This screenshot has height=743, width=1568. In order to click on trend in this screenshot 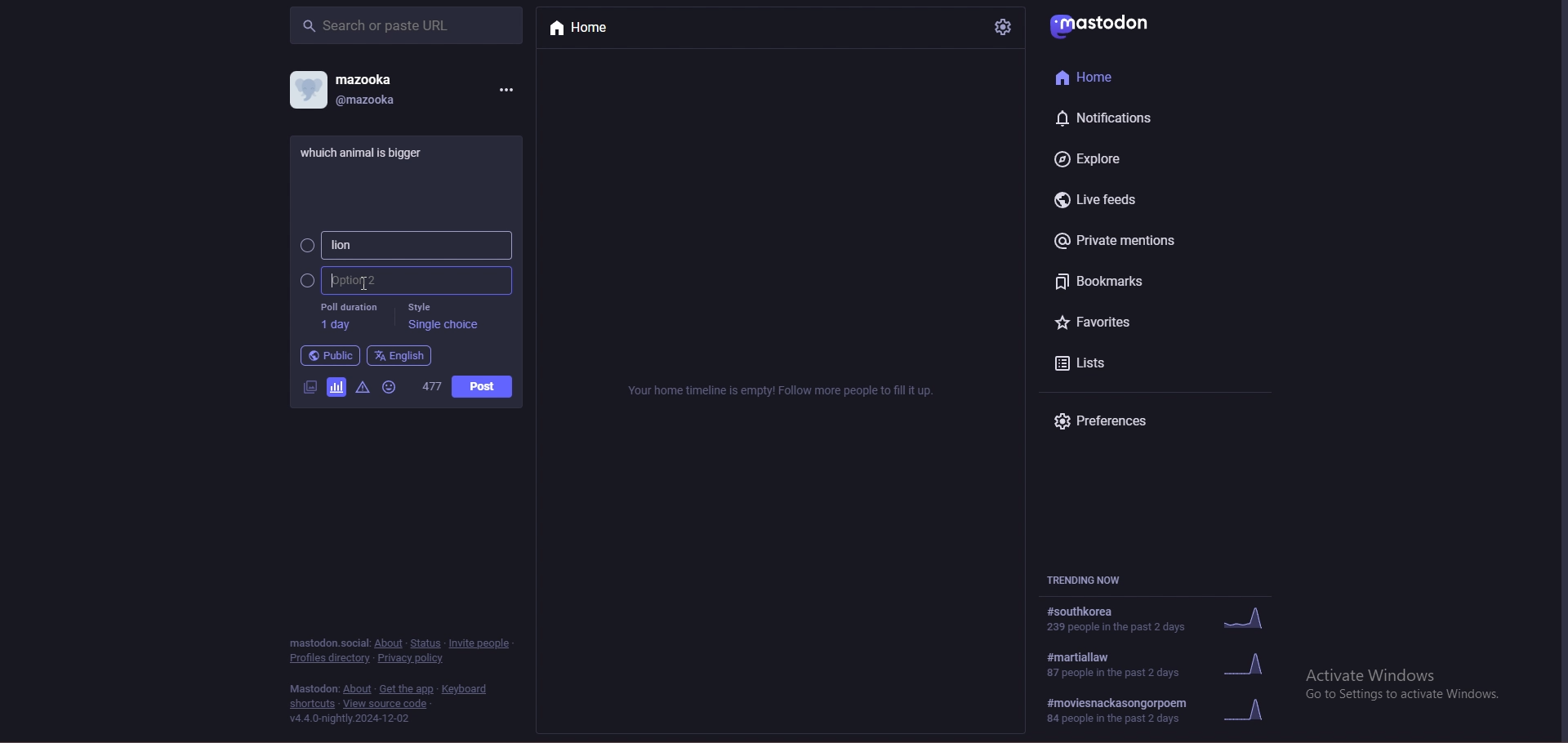, I will do `click(1162, 617)`.